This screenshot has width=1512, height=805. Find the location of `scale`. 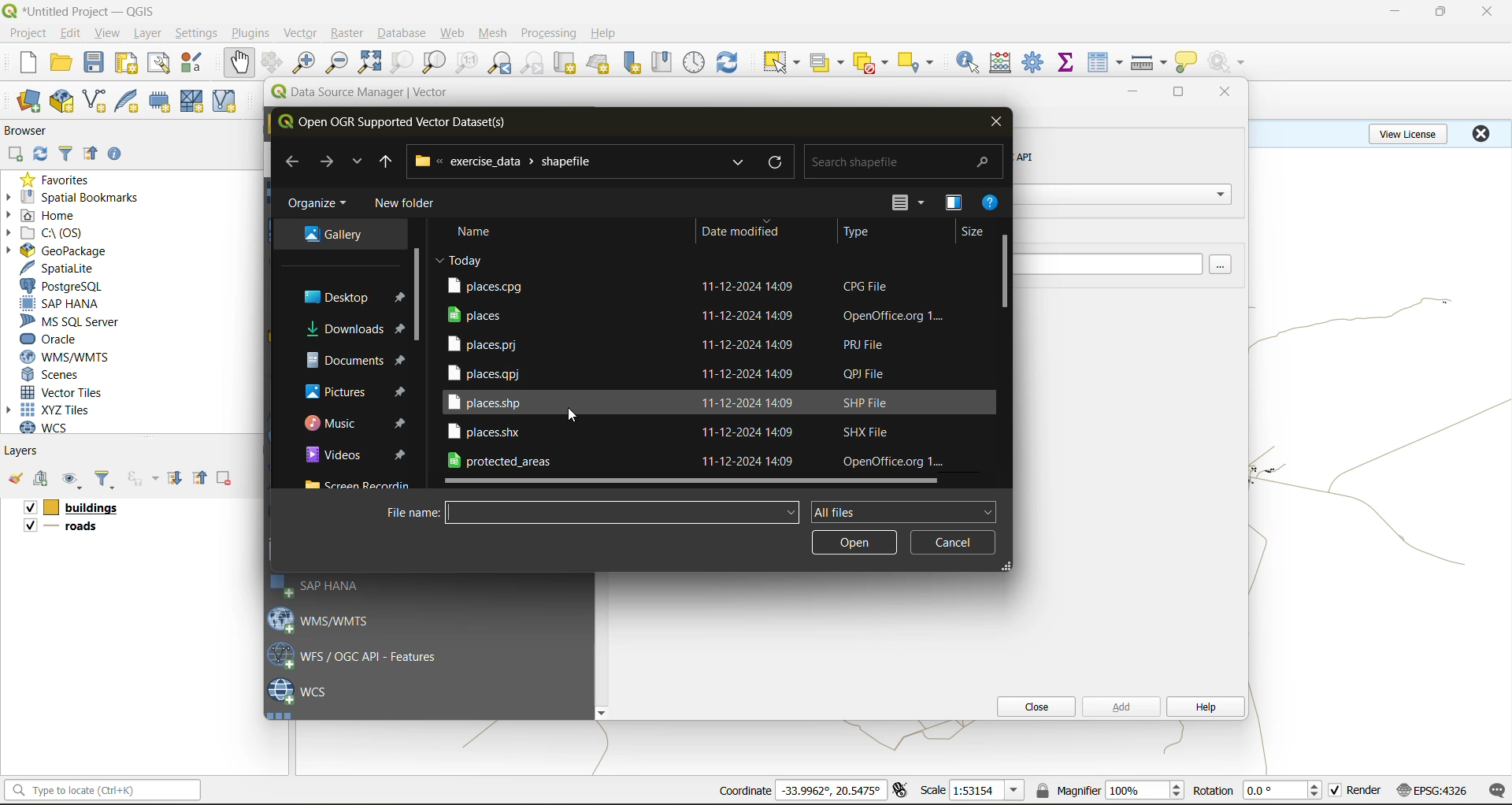

scale is located at coordinates (986, 791).